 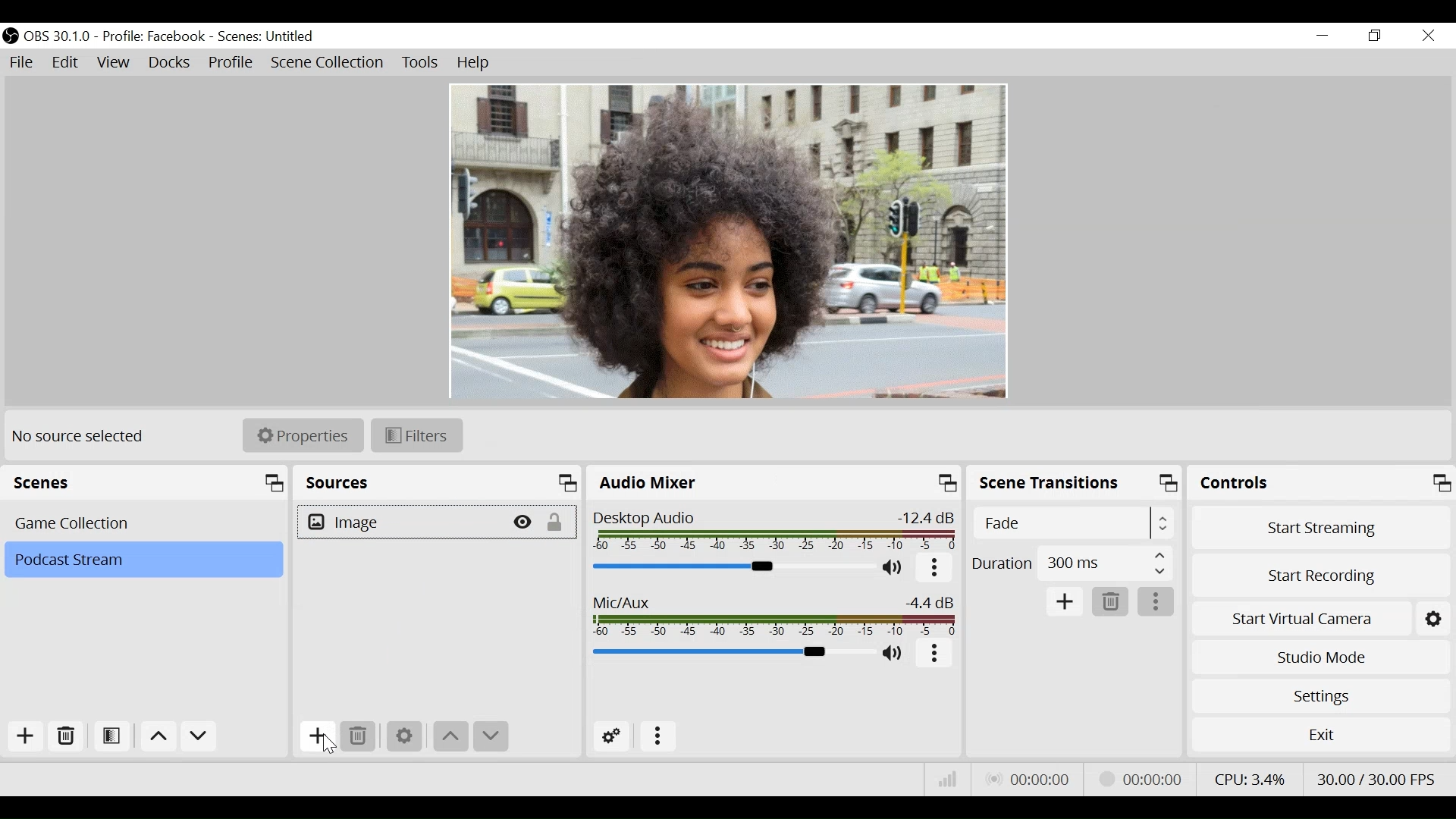 I want to click on Start Virtual Camera, so click(x=1321, y=616).